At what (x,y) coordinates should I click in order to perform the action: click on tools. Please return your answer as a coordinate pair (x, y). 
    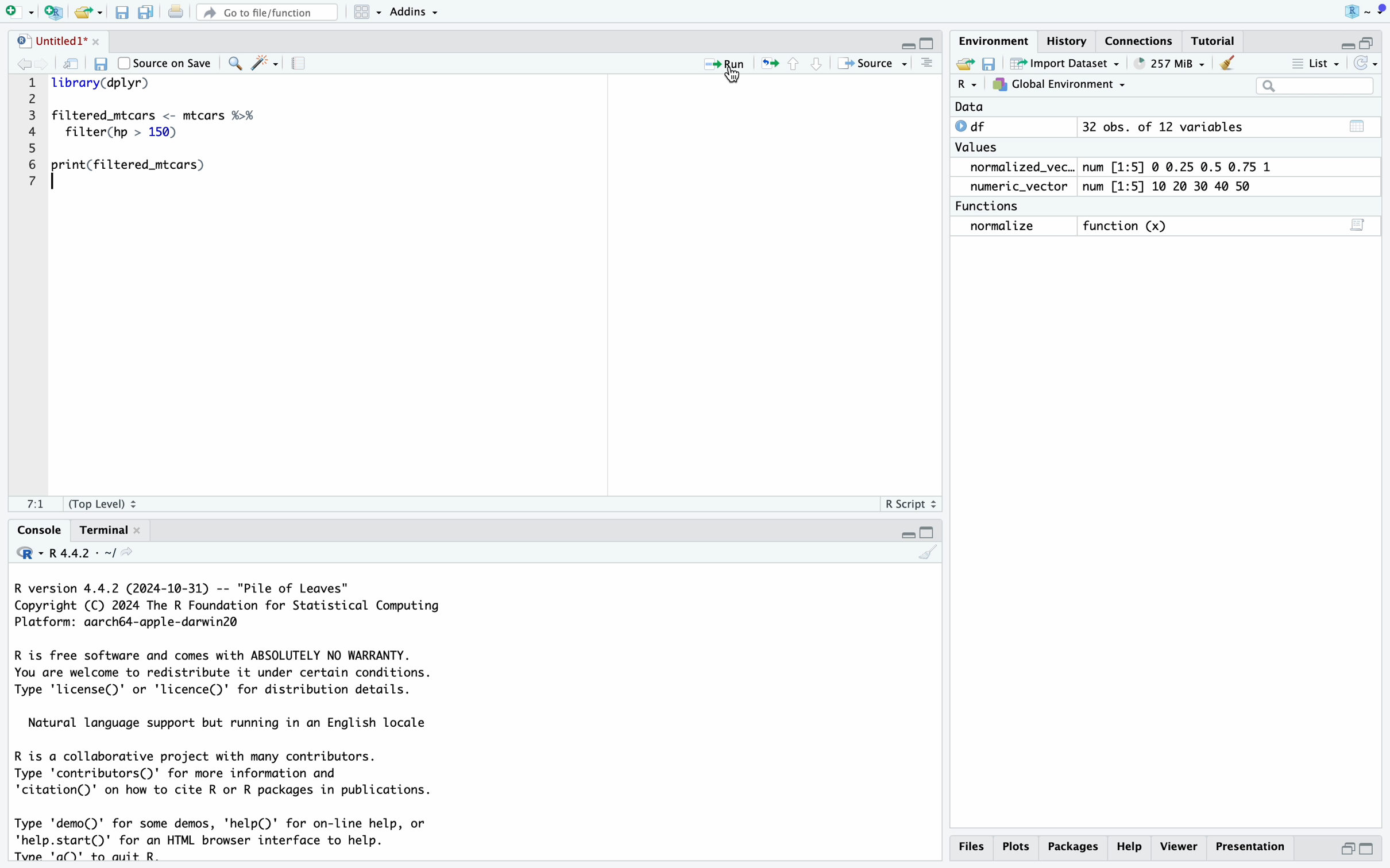
    Looking at the image, I should click on (265, 64).